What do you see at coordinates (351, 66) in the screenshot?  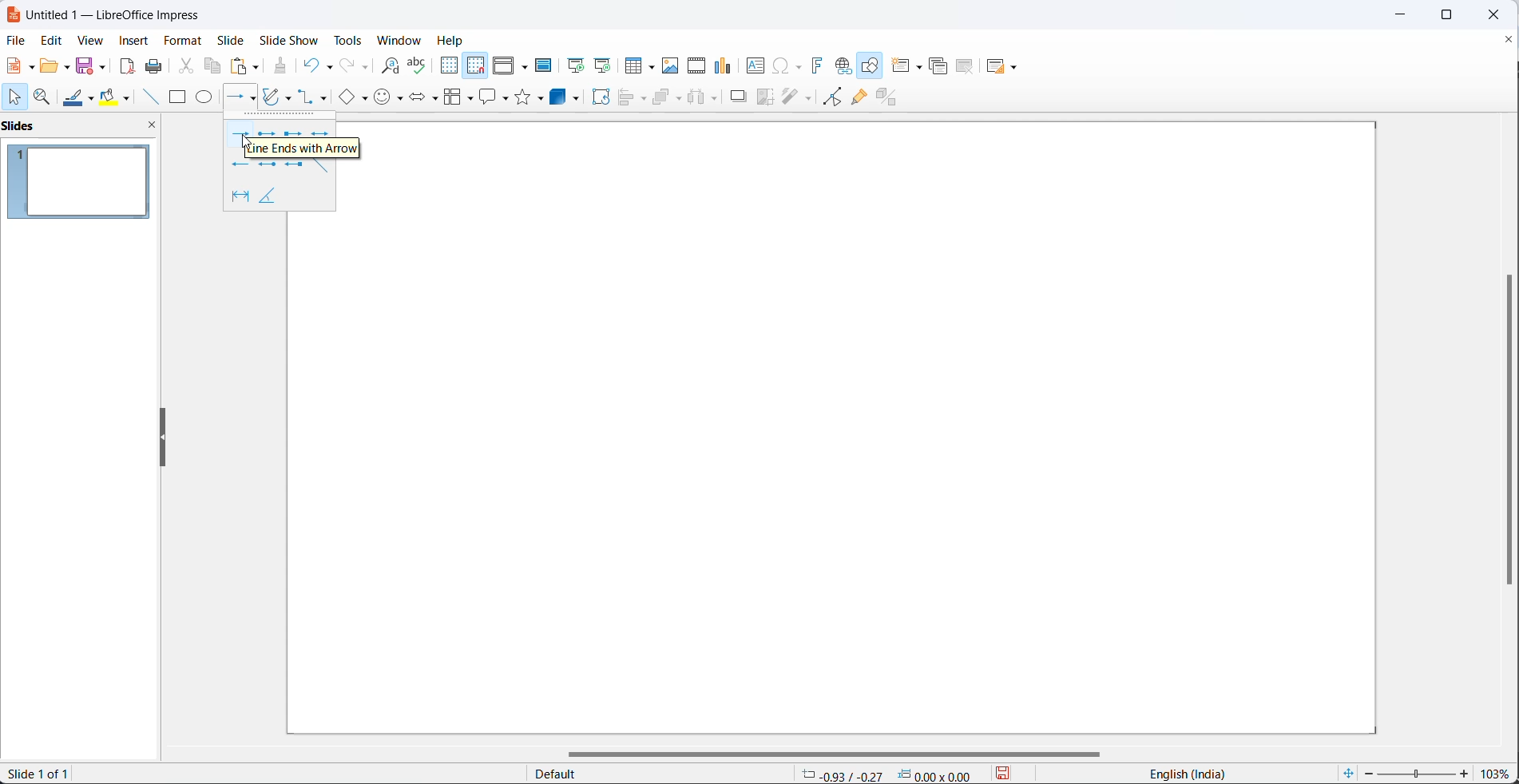 I see `redo` at bounding box center [351, 66].